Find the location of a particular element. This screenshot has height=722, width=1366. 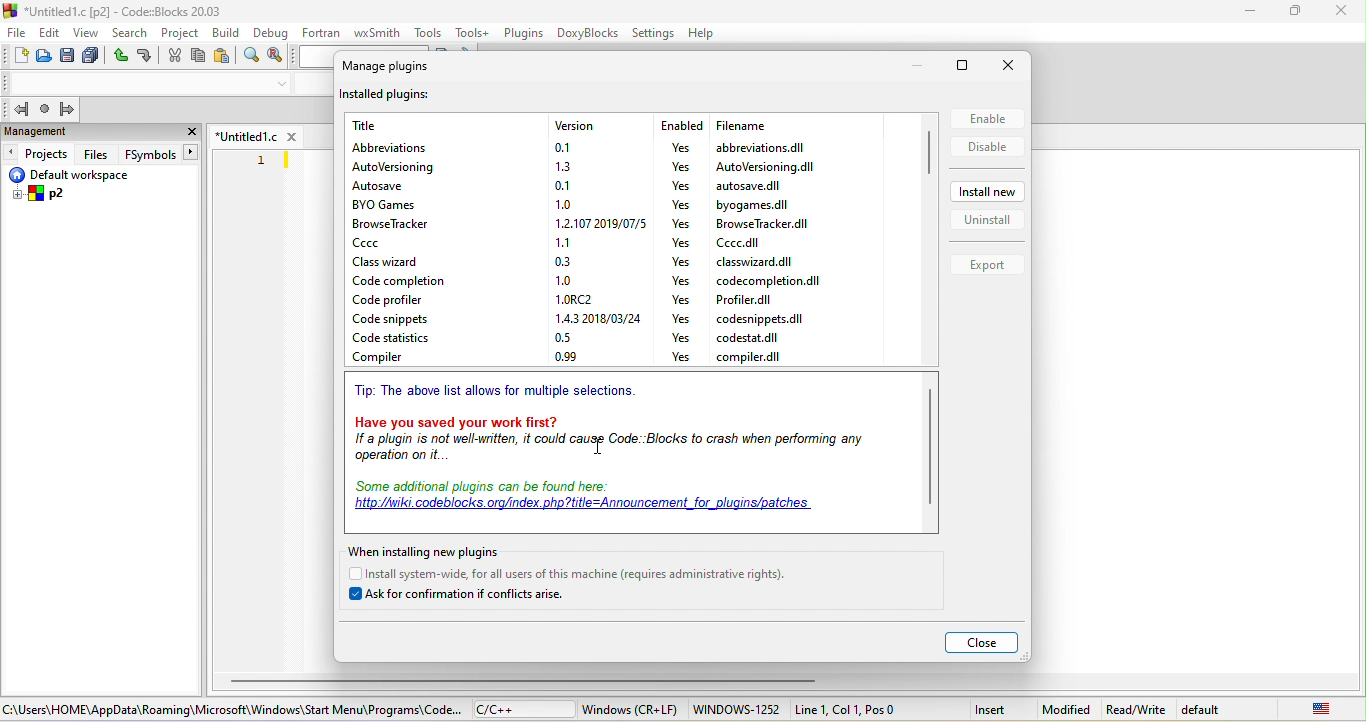

files is located at coordinates (96, 154).